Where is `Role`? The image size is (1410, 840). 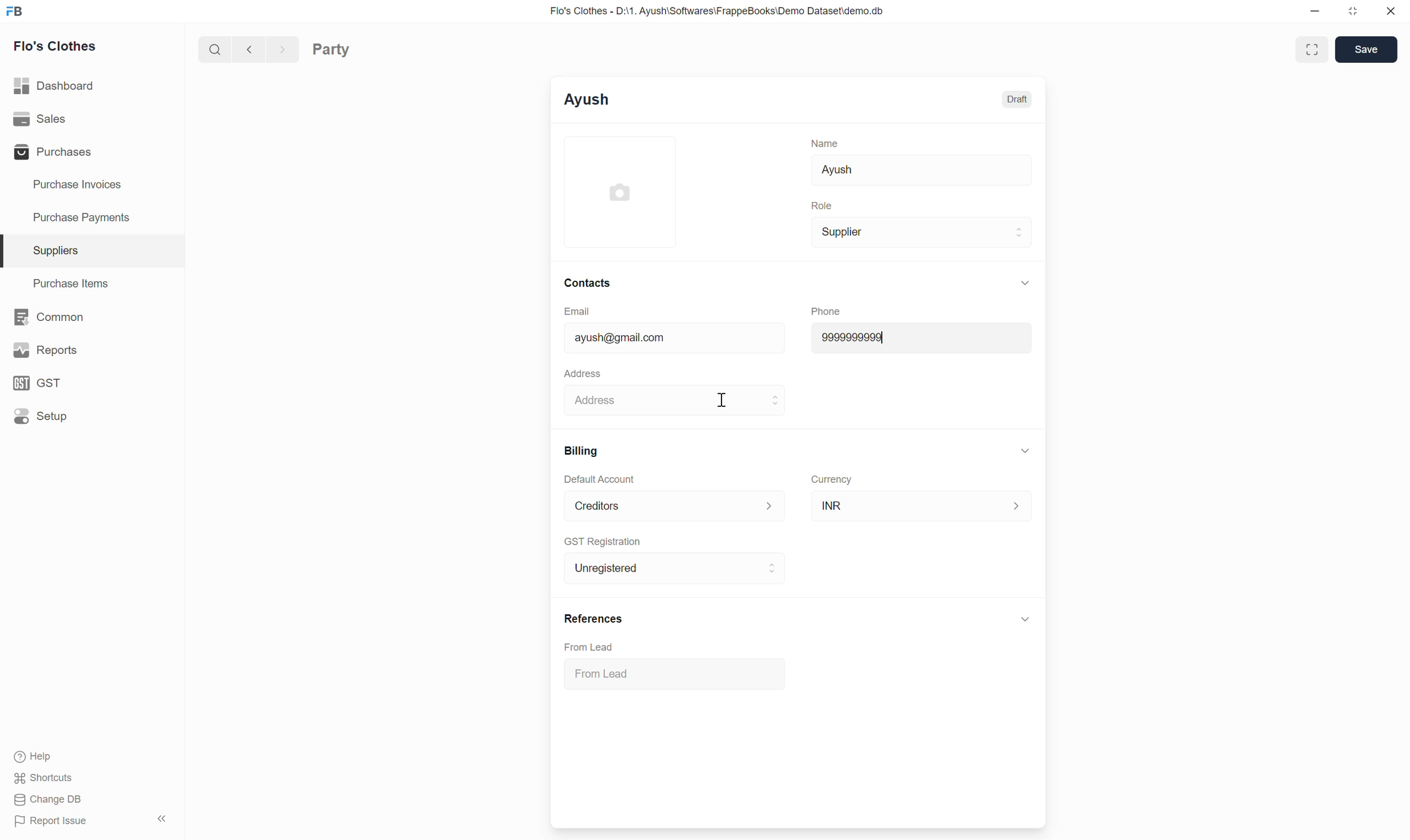
Role is located at coordinates (822, 205).